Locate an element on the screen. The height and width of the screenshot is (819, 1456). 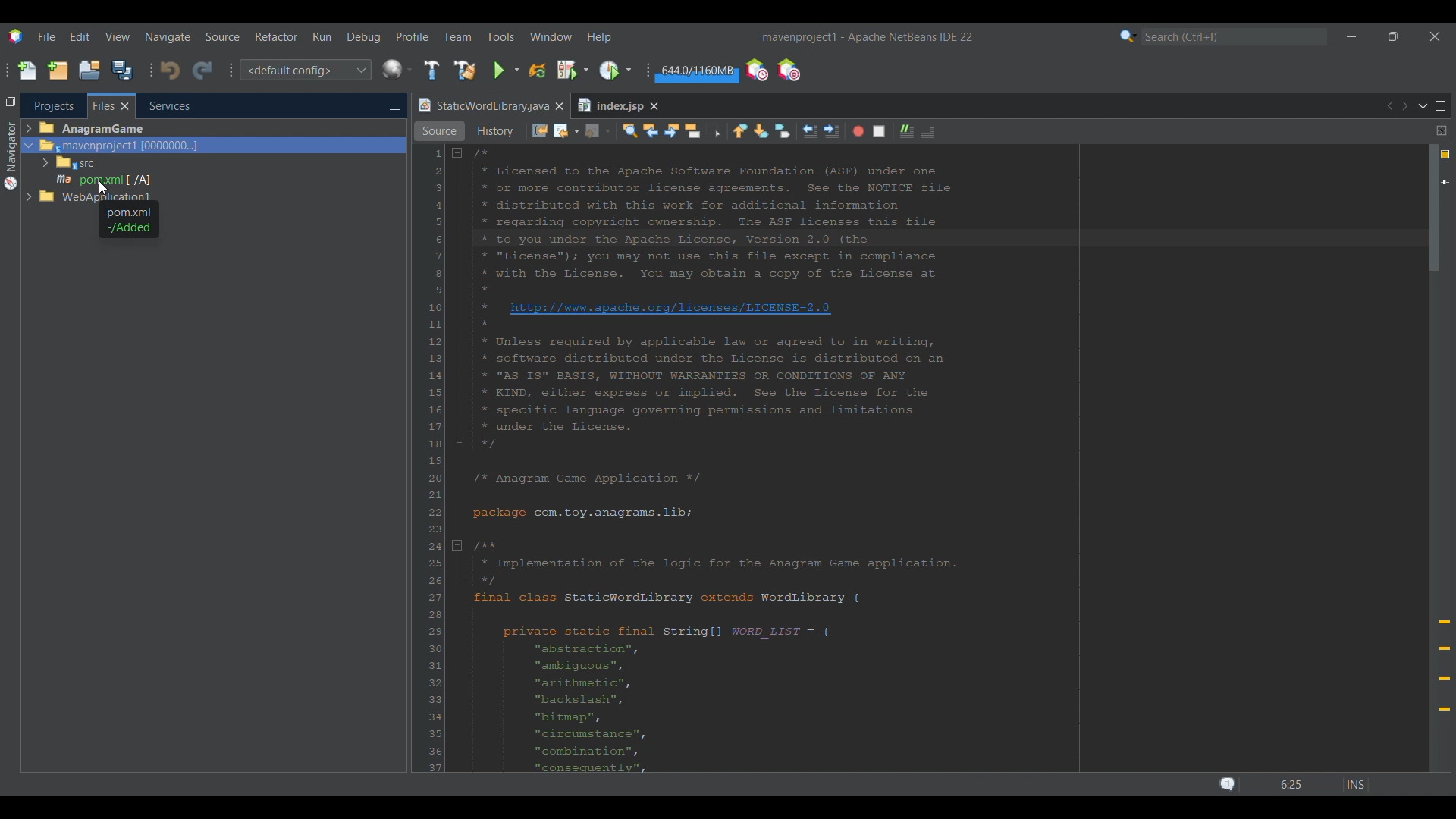
Find selection is located at coordinates (630, 131).